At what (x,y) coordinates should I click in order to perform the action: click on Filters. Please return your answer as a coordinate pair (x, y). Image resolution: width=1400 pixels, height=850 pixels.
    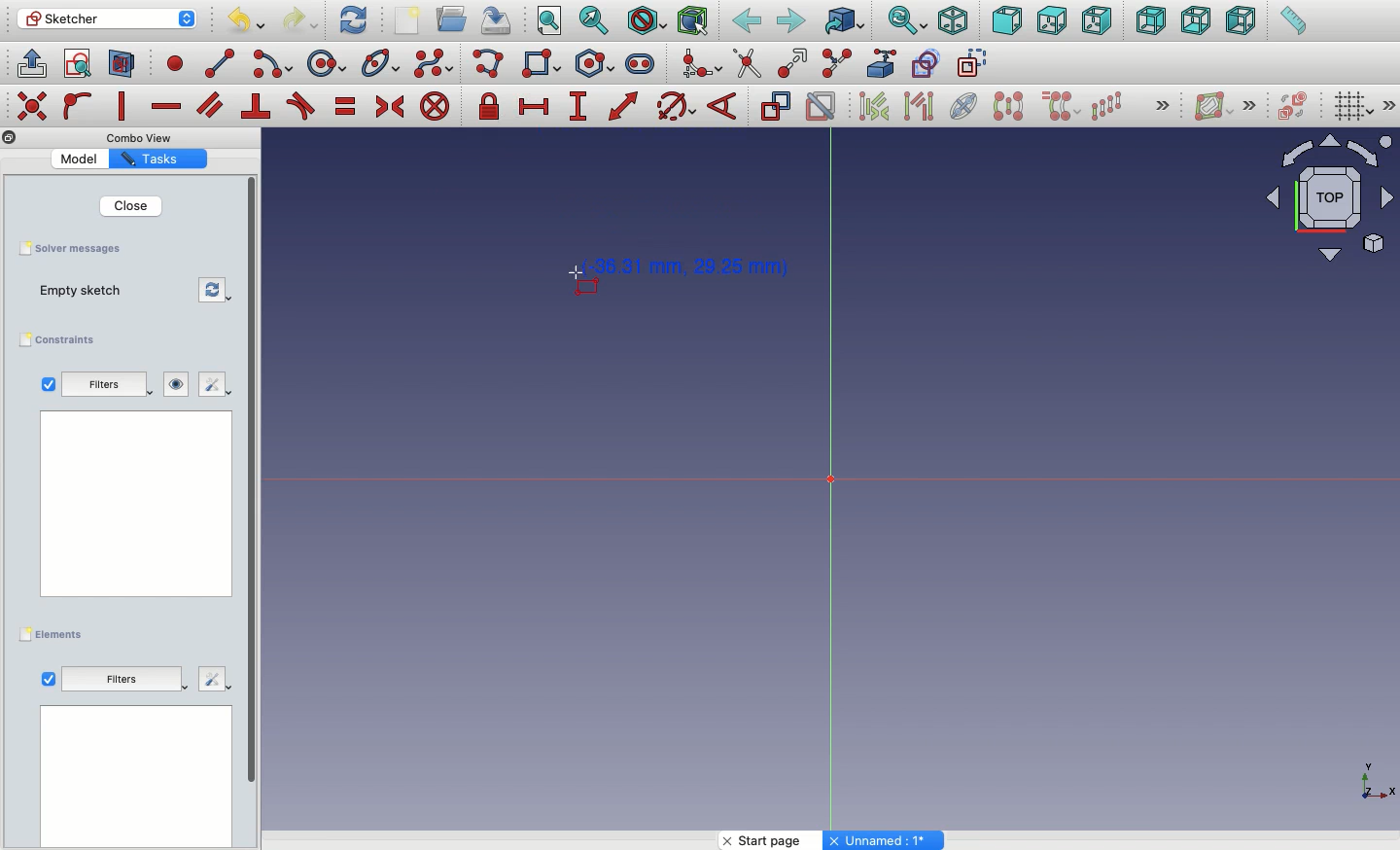
    Looking at the image, I should click on (121, 678).